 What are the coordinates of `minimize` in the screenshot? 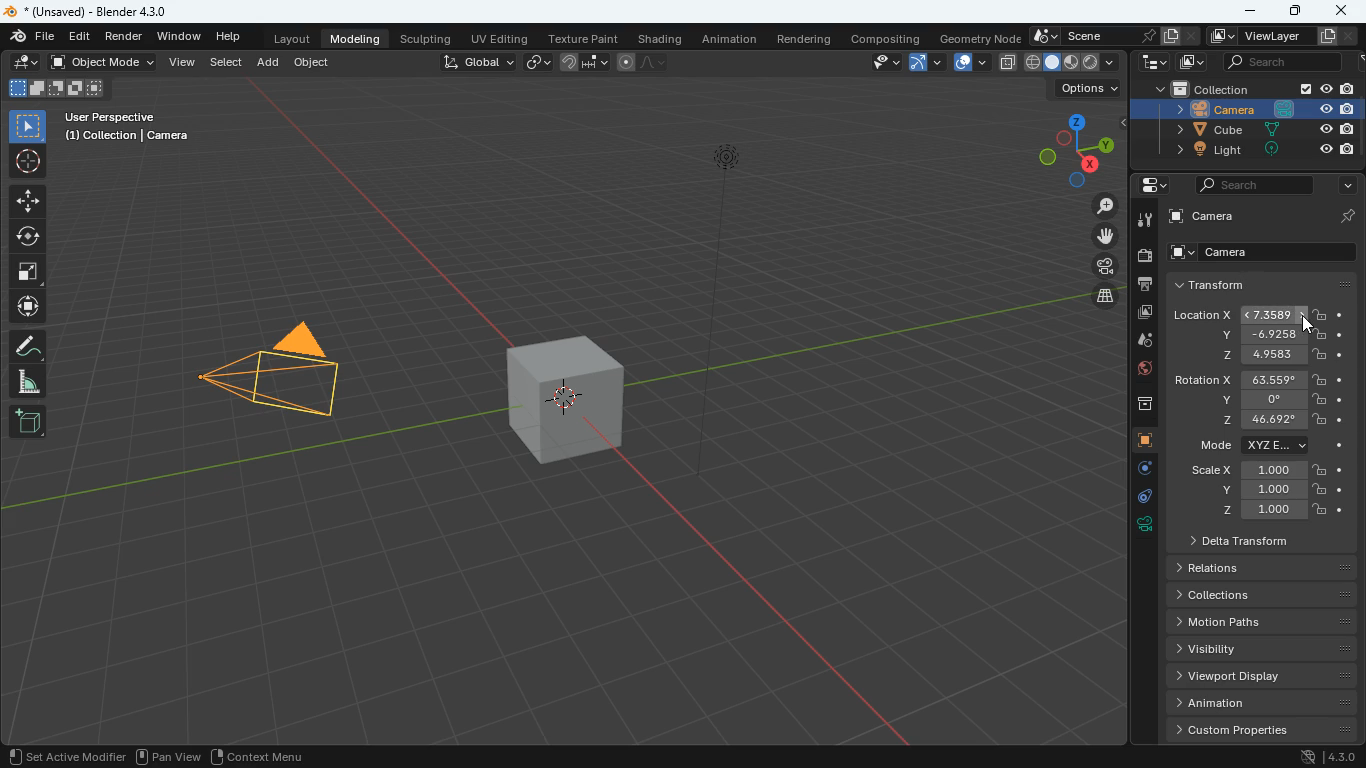 It's located at (1252, 12).